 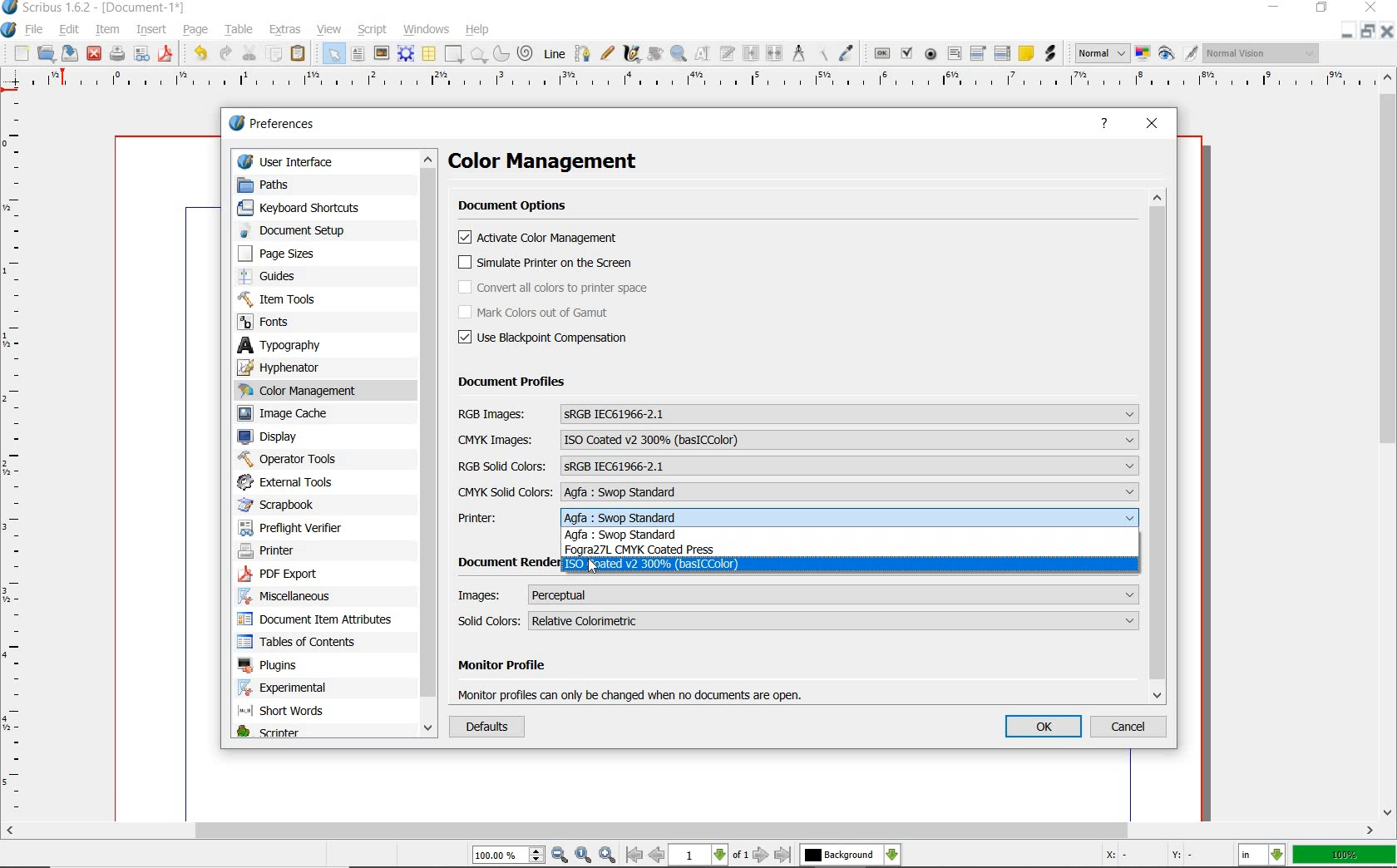 I want to click on select image preview mode, so click(x=1103, y=52).